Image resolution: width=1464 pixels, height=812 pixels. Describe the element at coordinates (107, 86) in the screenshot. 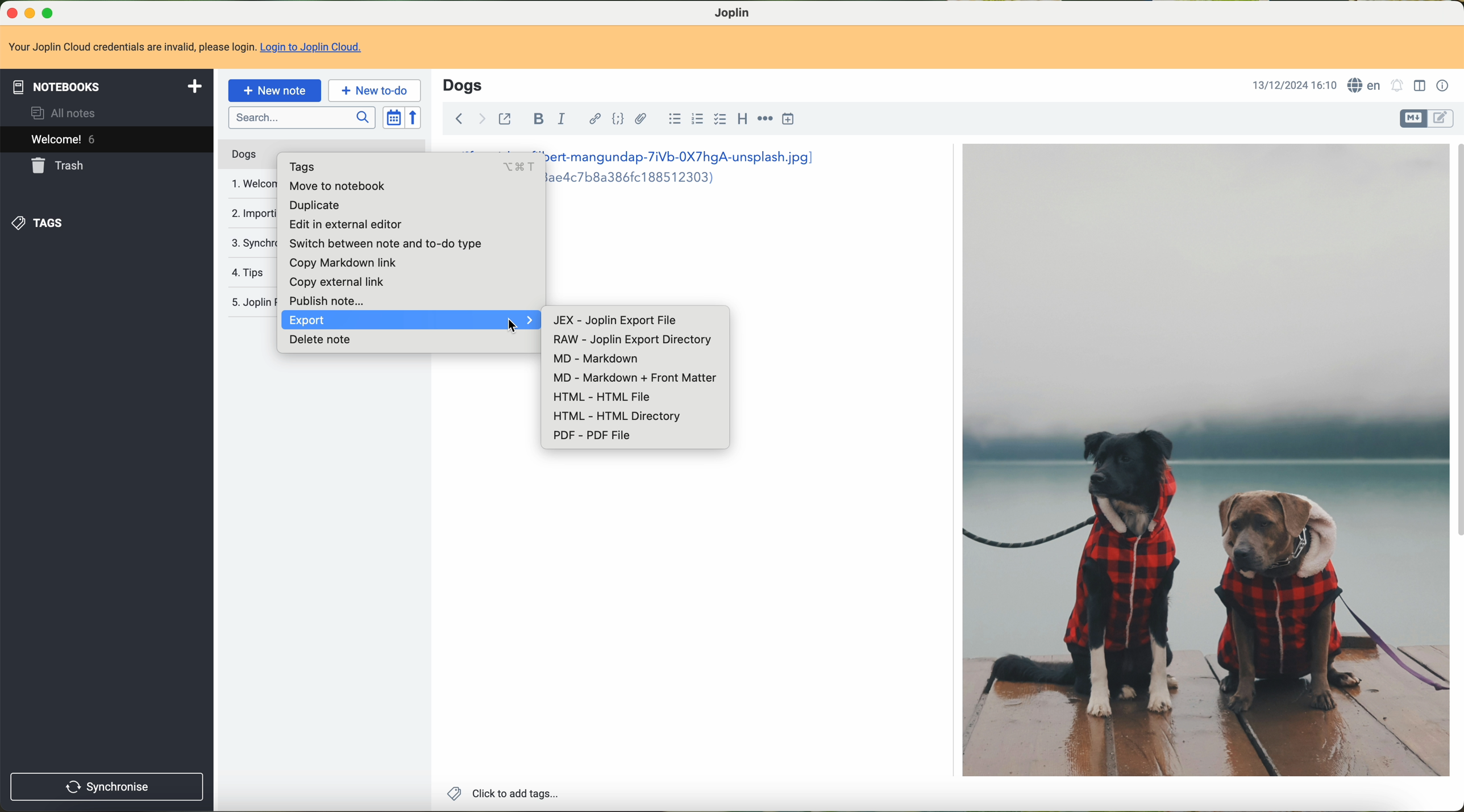

I see `notebooks` at that location.